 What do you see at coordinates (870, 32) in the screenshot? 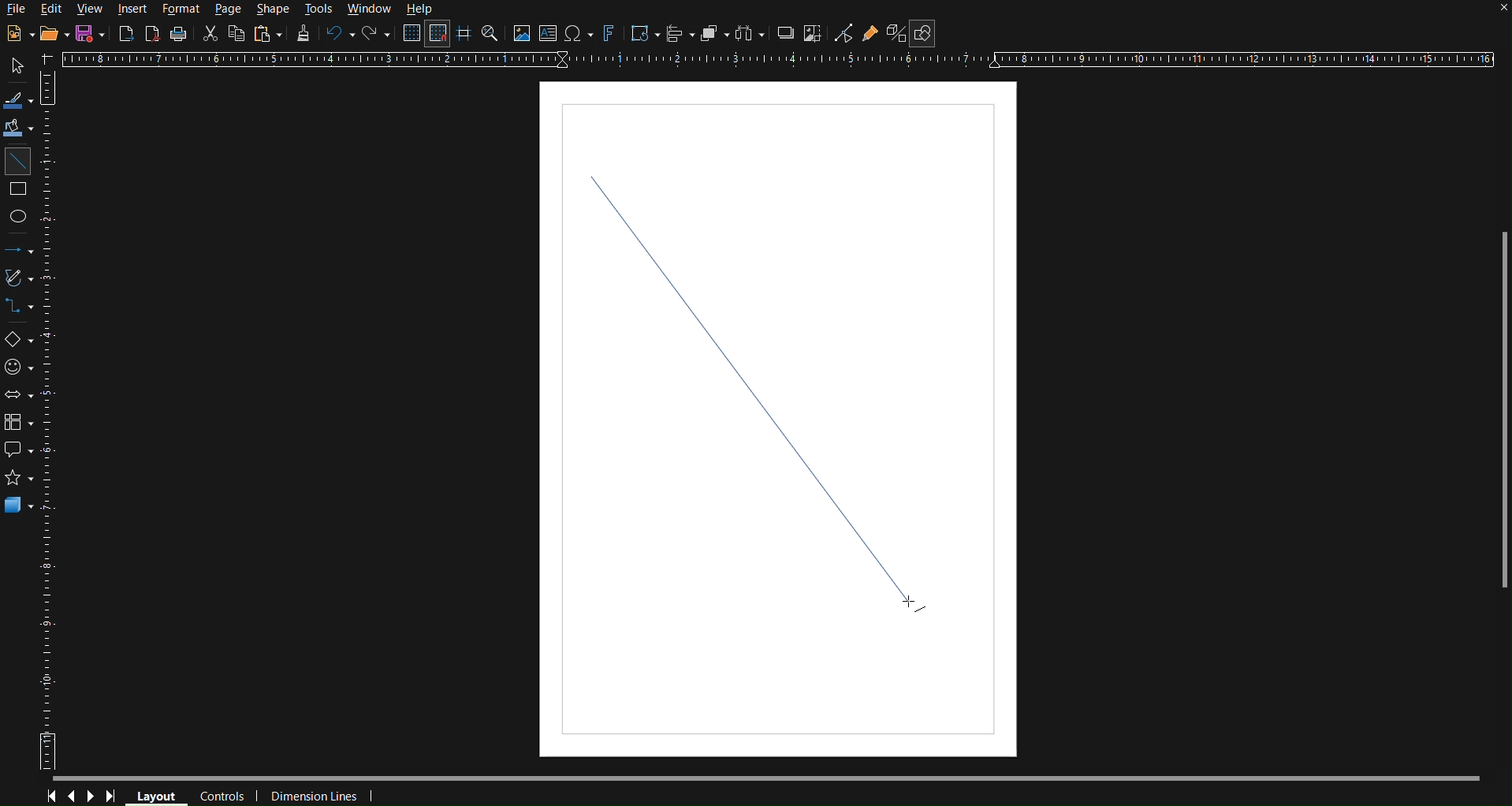
I see `Show Gluepoint Functions` at bounding box center [870, 32].